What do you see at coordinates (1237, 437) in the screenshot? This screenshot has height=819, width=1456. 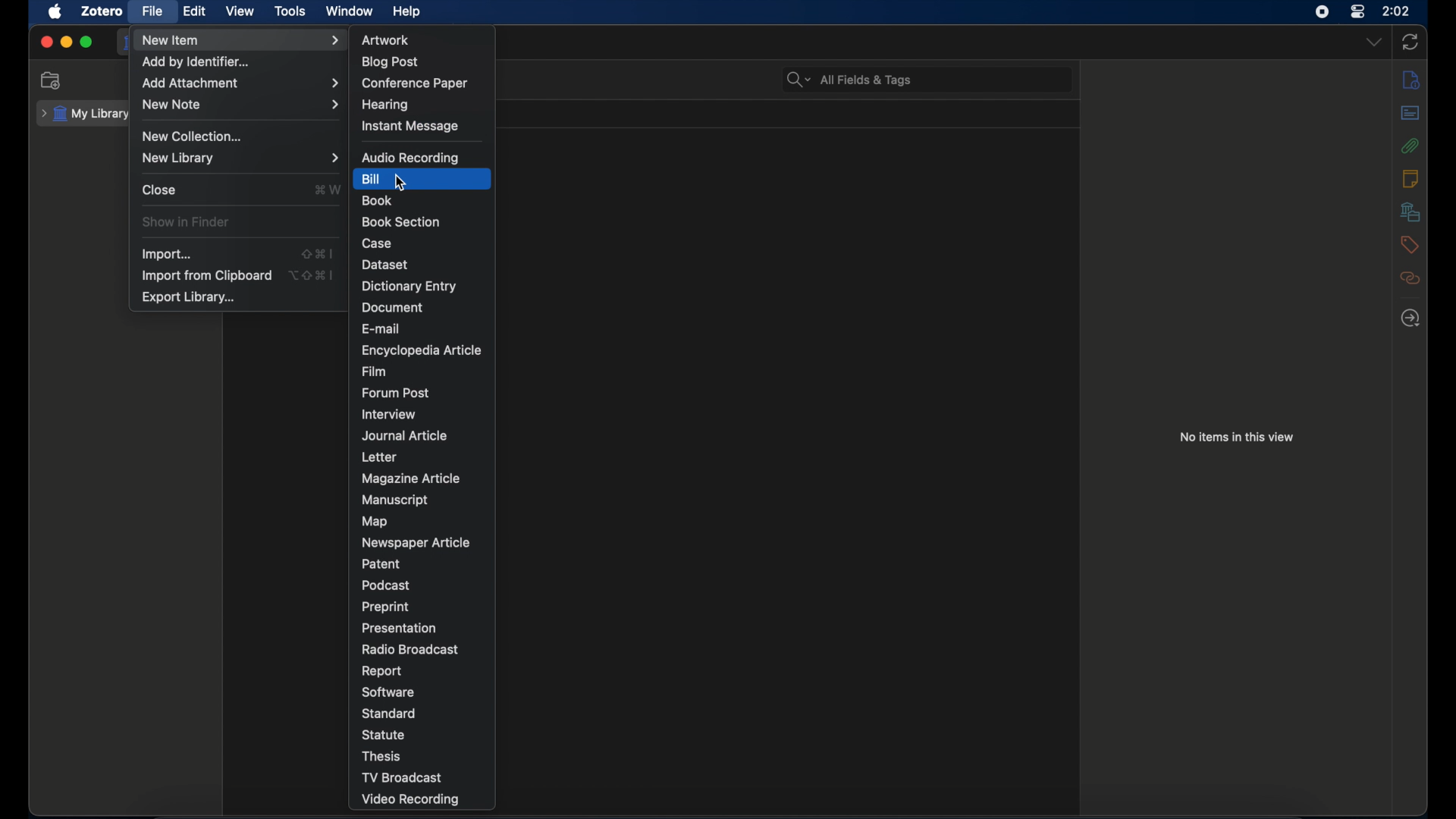 I see `no items in this view` at bounding box center [1237, 437].